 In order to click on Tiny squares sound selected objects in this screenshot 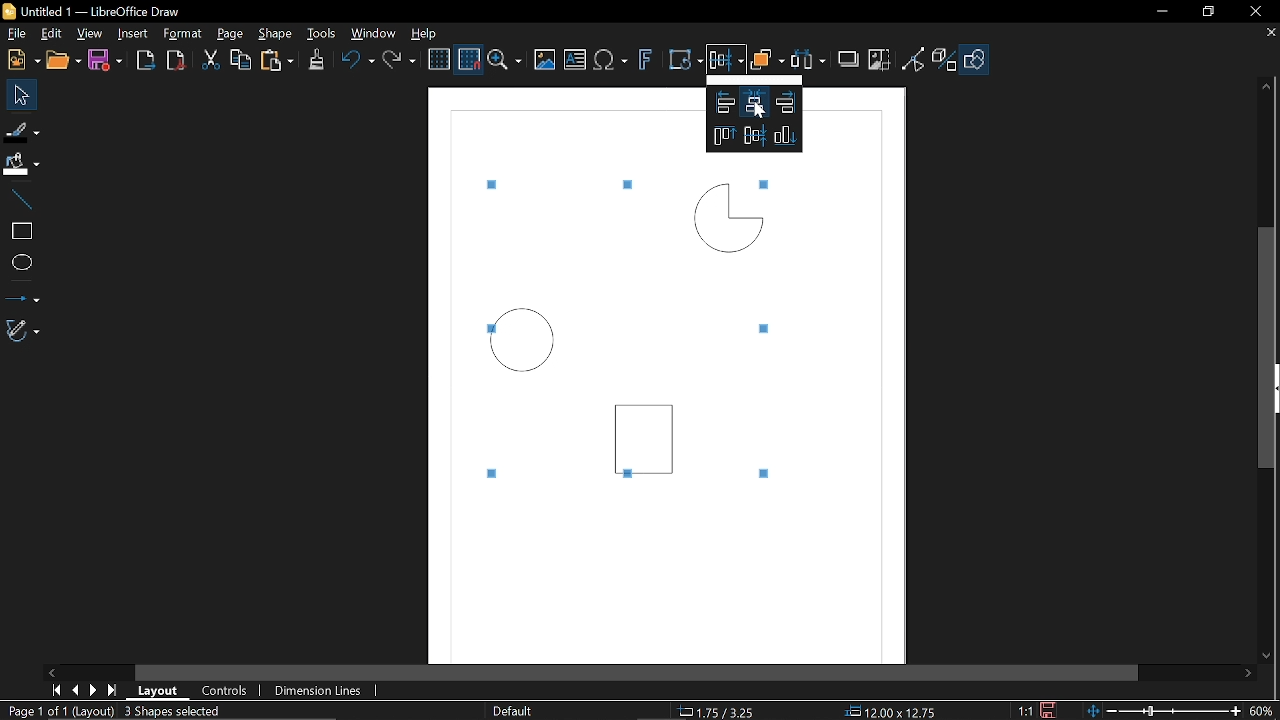, I will do `click(768, 182)`.